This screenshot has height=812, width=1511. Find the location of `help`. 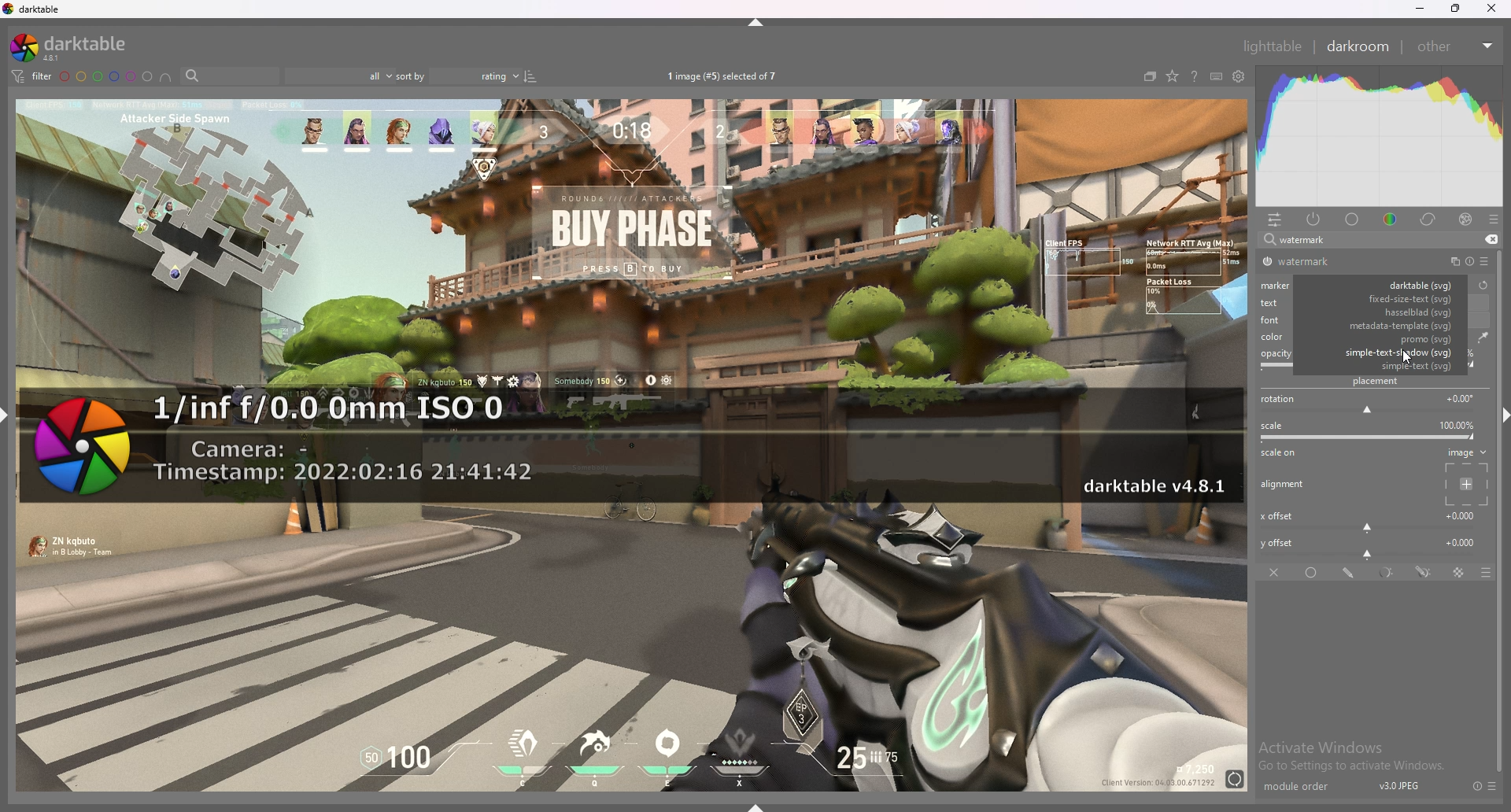

help is located at coordinates (1194, 78).